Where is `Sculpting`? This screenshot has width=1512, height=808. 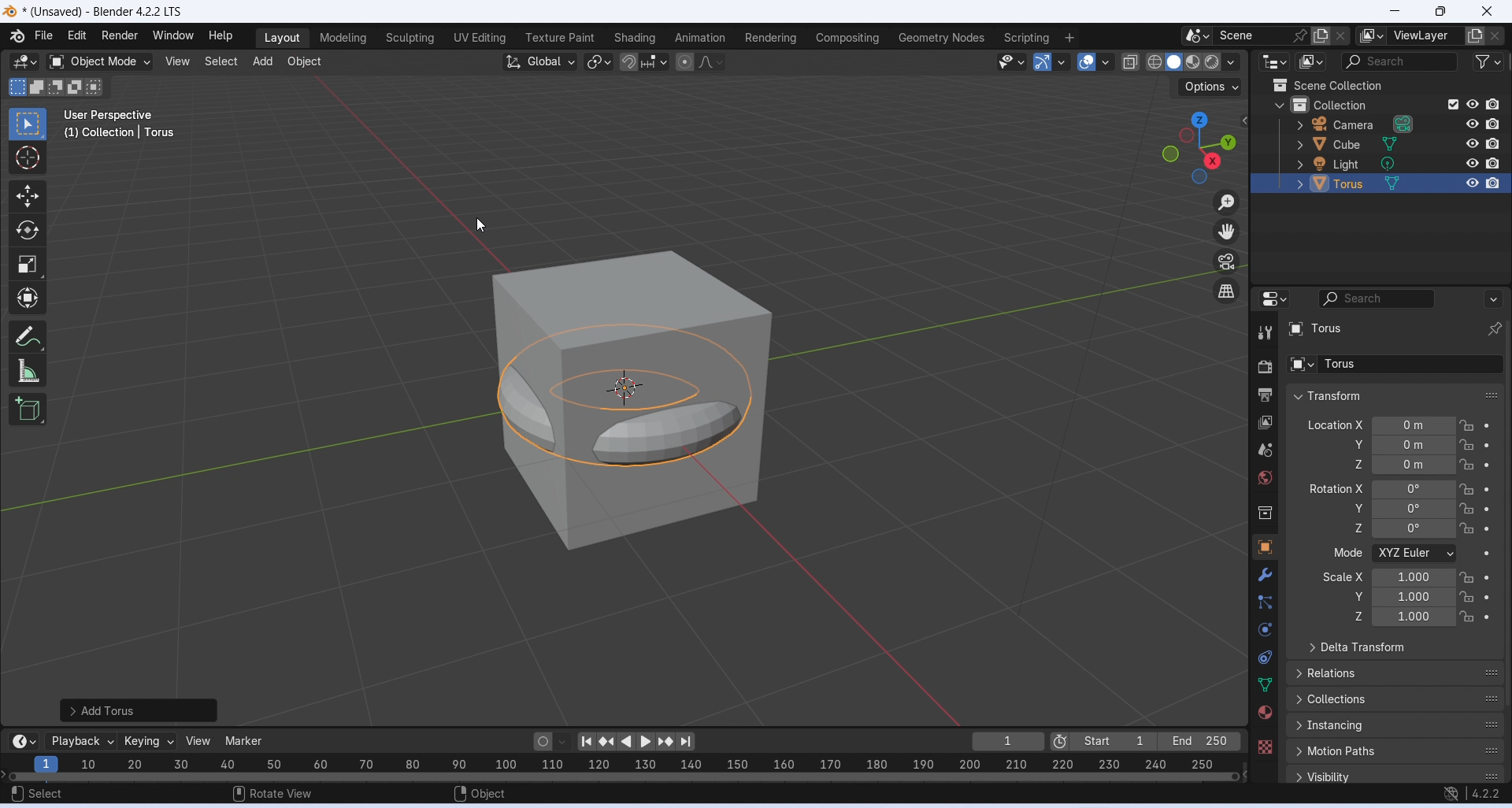 Sculpting is located at coordinates (408, 39).